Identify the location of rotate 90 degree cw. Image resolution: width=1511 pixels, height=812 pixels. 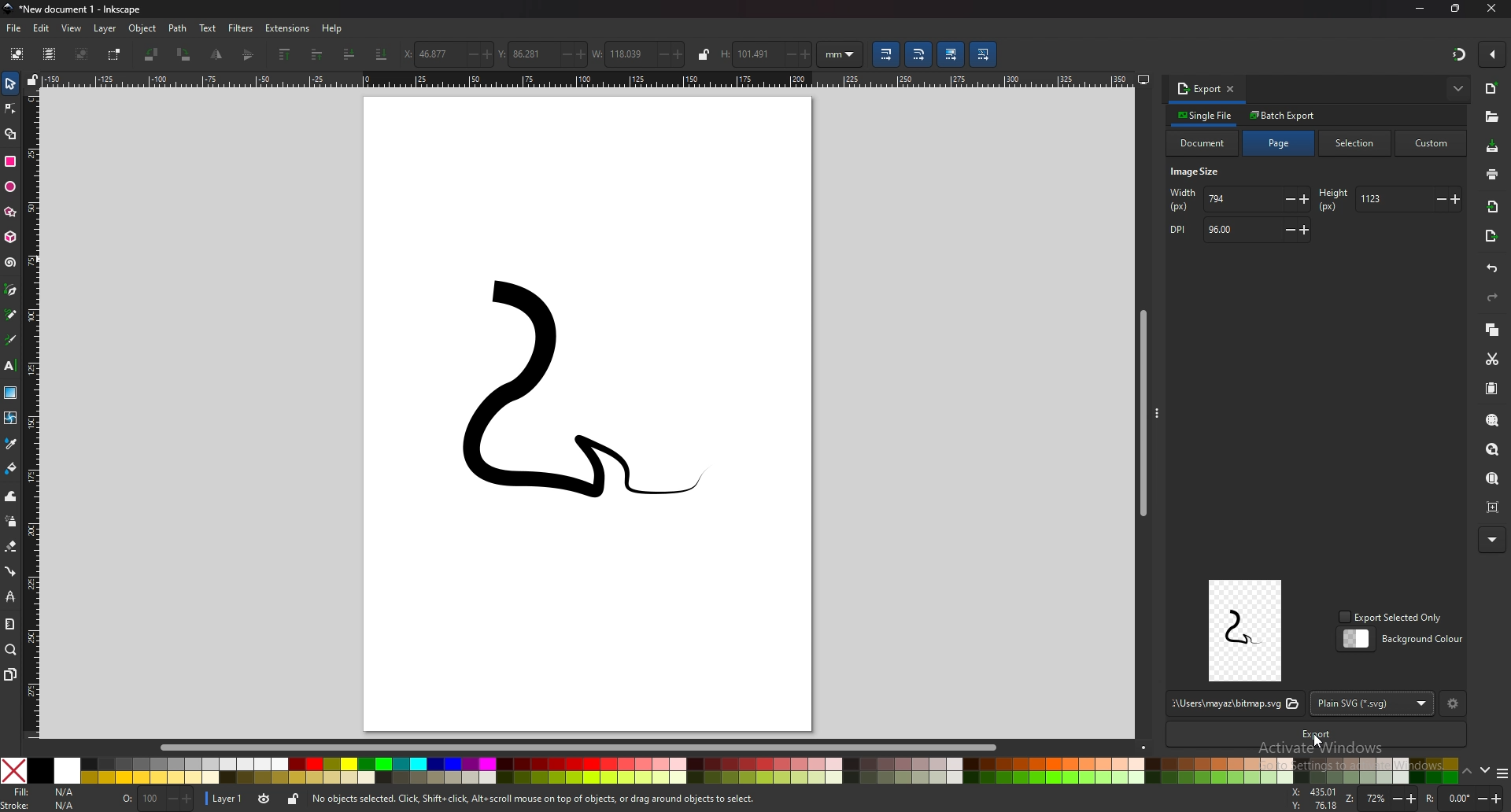
(185, 54).